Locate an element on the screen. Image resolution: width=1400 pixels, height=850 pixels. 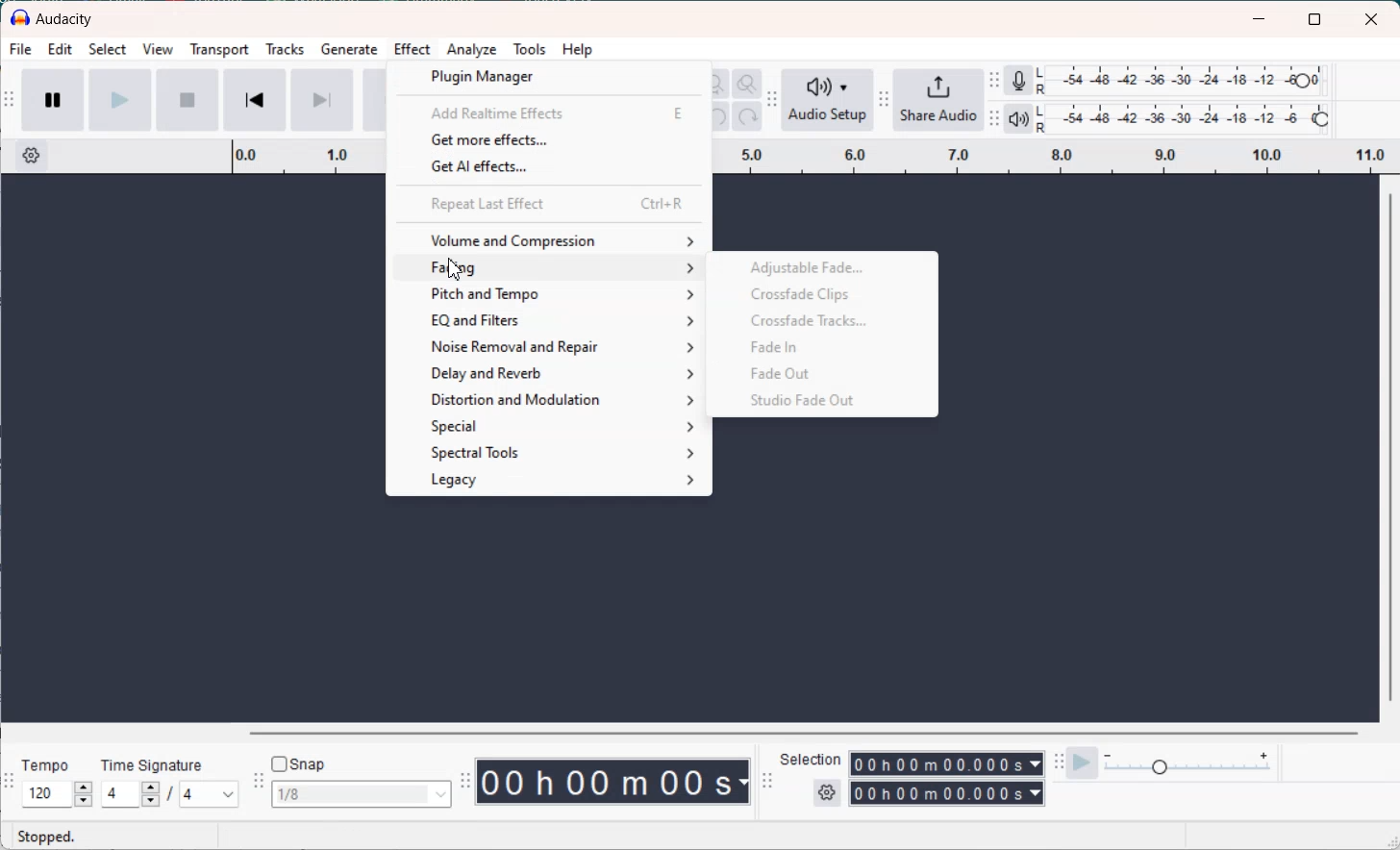
Audacity pay at speed toolbar is located at coordinates (1058, 762).